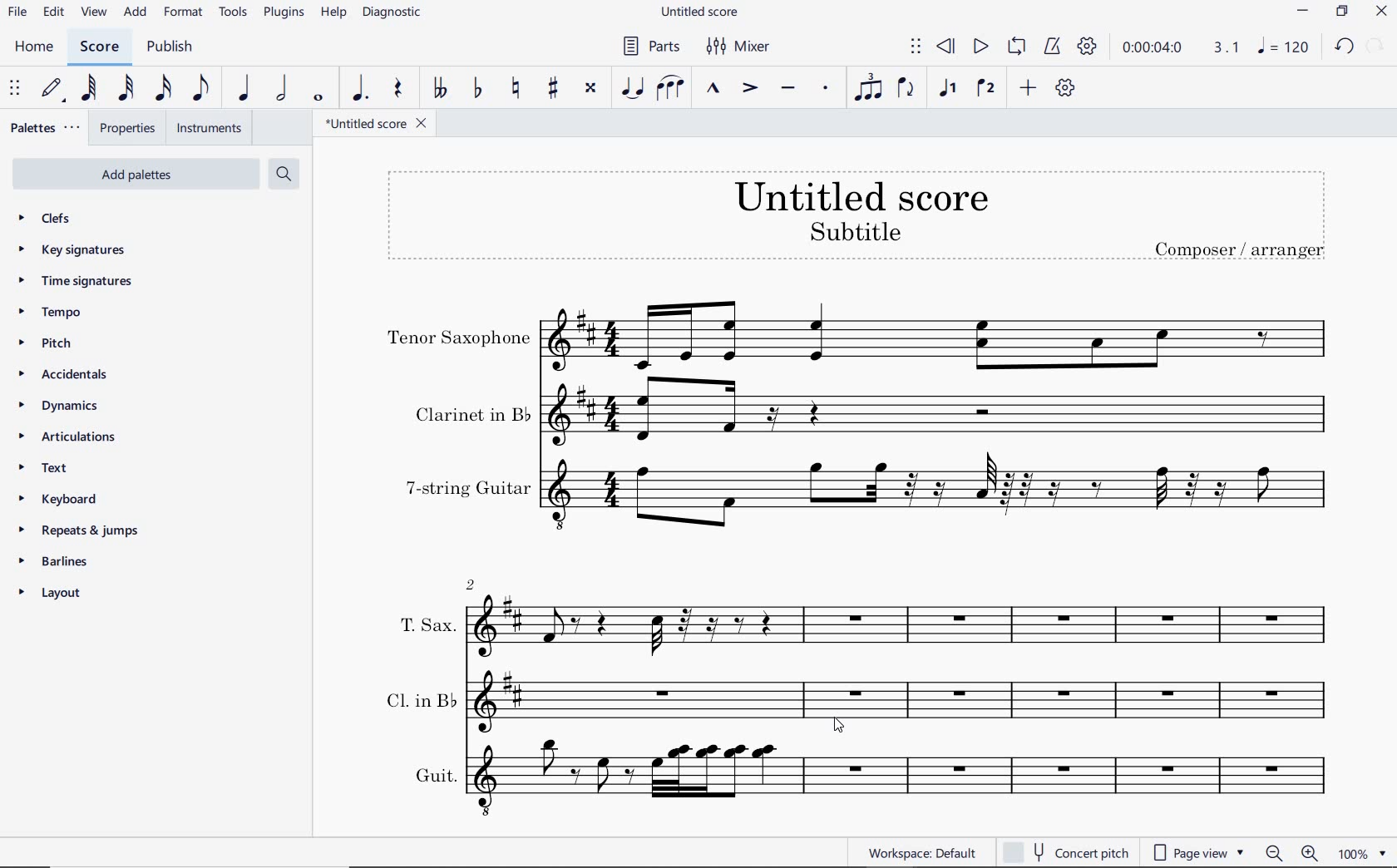  What do you see at coordinates (1376, 45) in the screenshot?
I see `REDO` at bounding box center [1376, 45].